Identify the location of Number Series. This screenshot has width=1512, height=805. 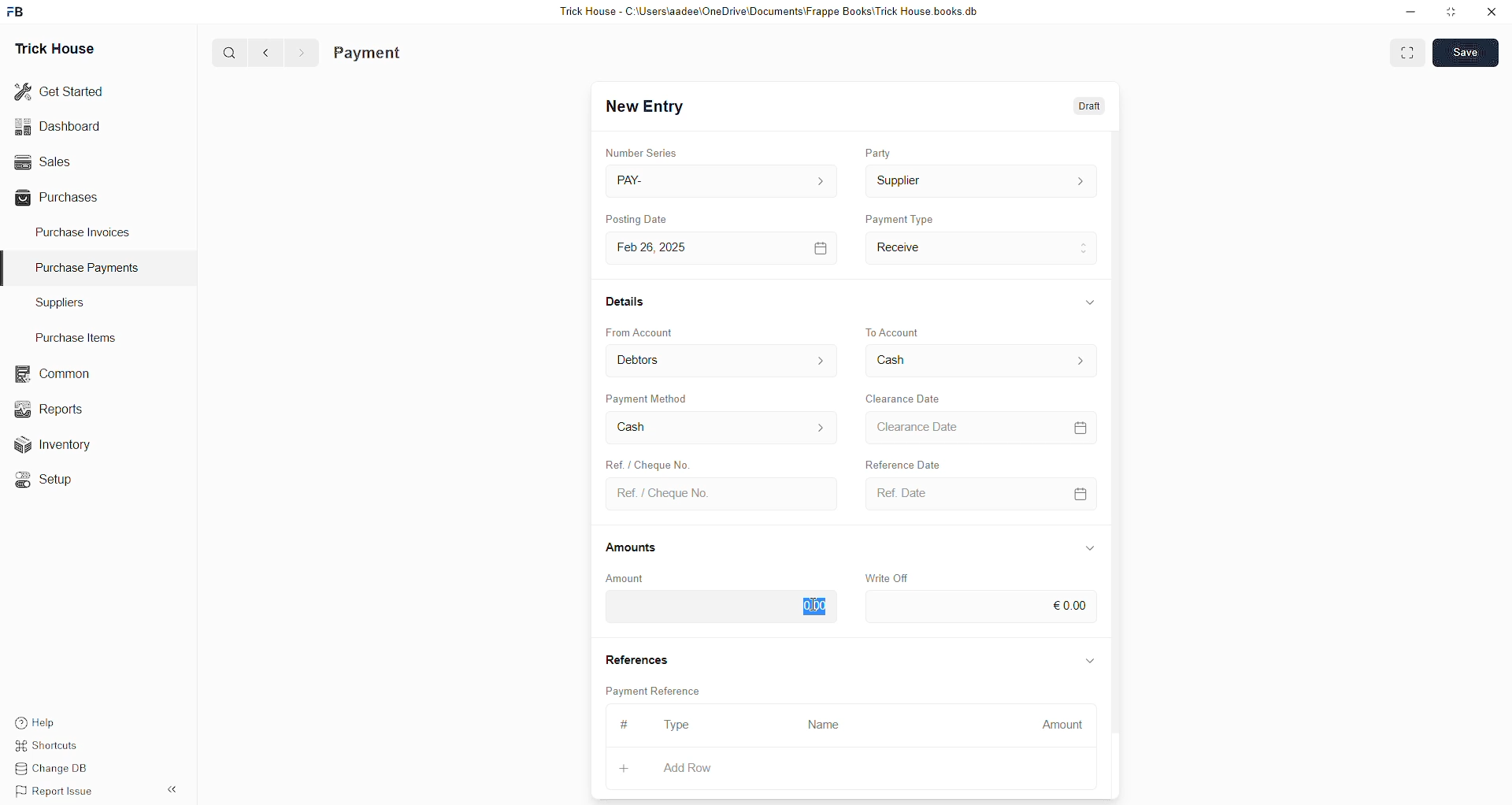
(641, 150).